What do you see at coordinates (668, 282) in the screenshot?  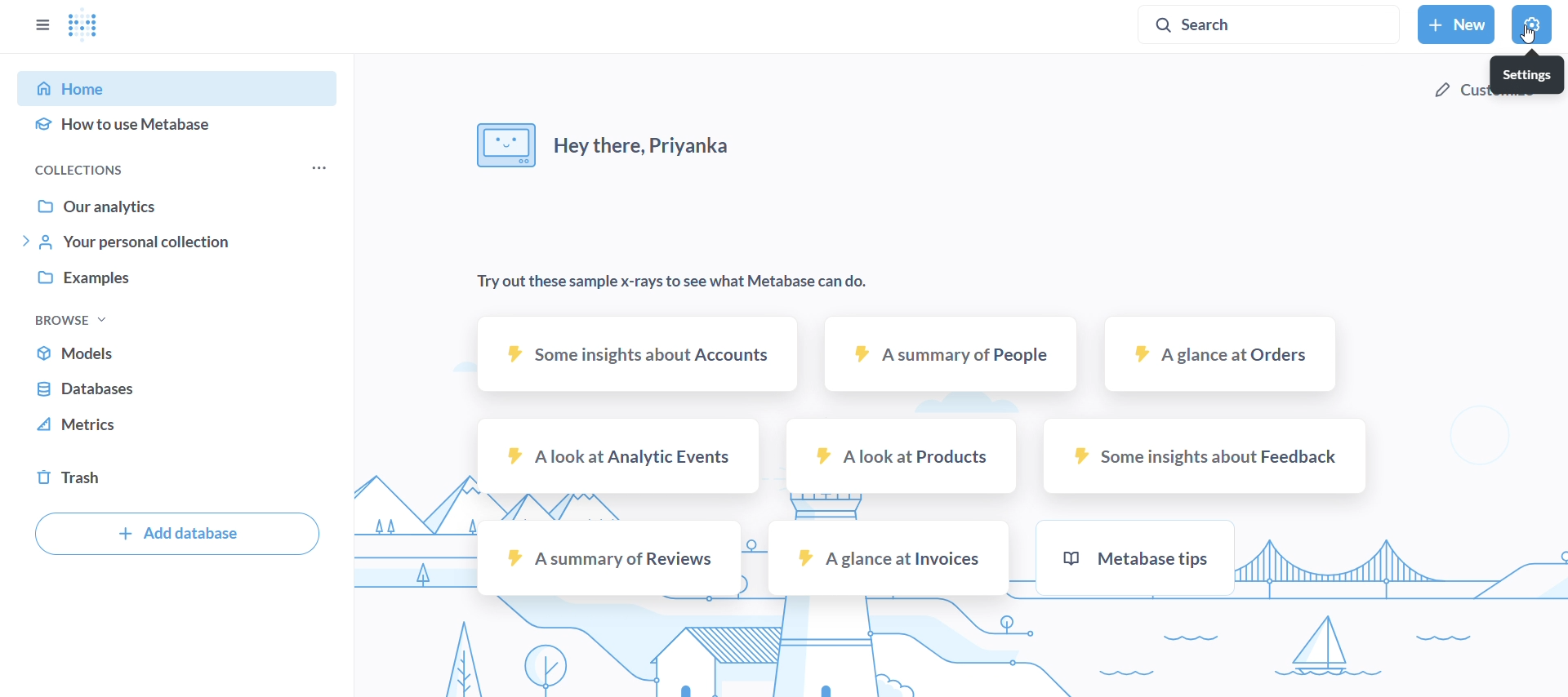 I see `try out these sample x-rays to see what metabase can do.` at bounding box center [668, 282].